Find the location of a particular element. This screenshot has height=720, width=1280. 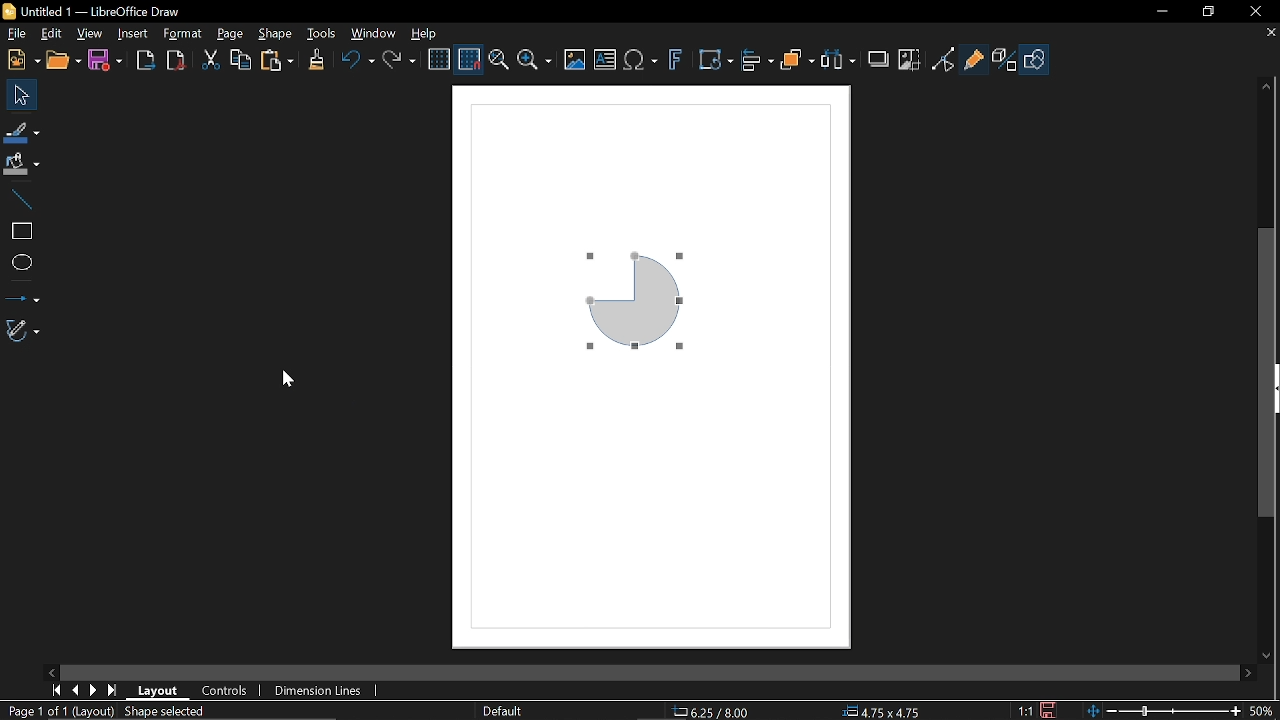

Save is located at coordinates (109, 60).